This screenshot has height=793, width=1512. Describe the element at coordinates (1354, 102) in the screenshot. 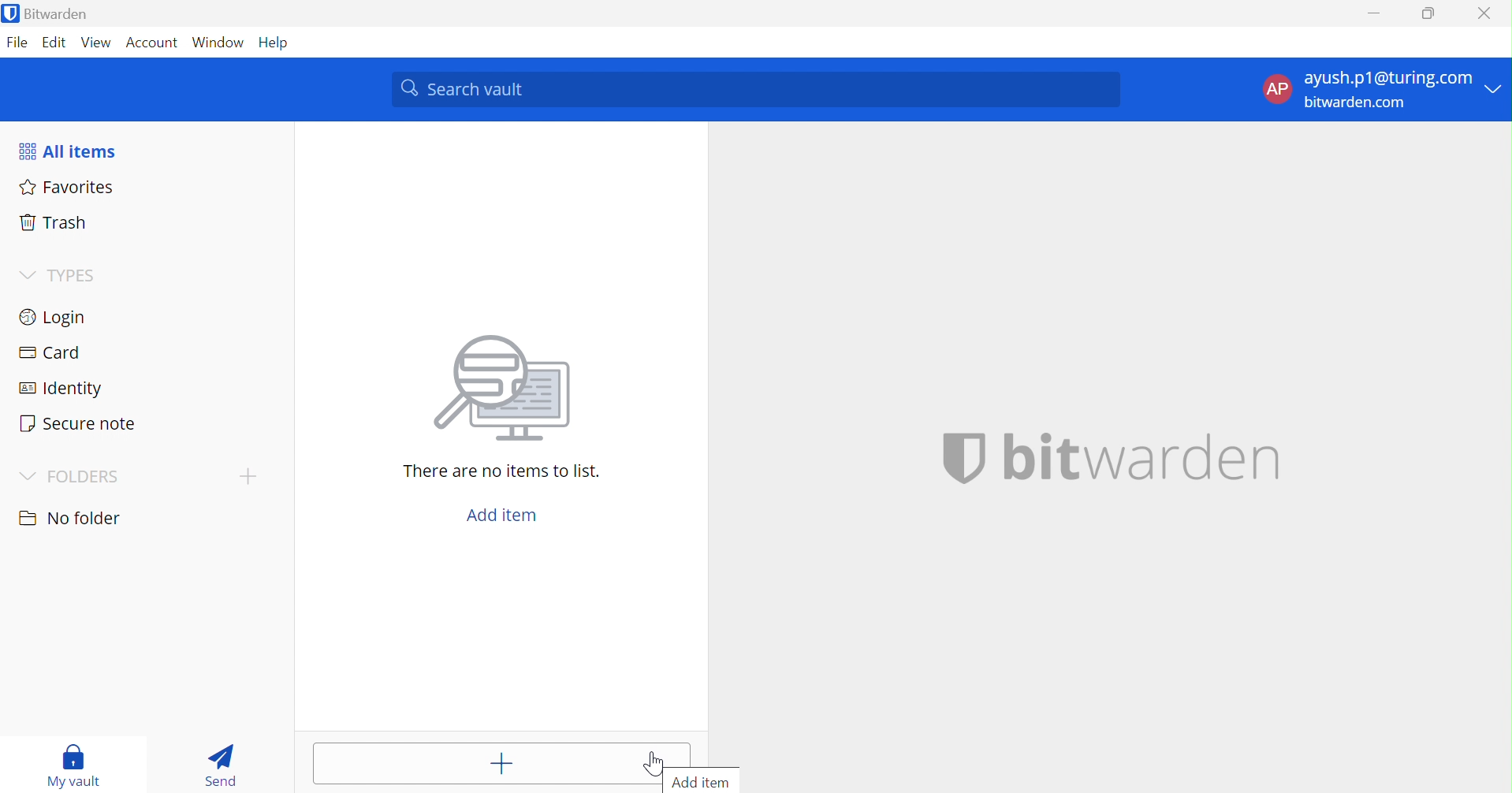

I see `bitwarden.com` at that location.